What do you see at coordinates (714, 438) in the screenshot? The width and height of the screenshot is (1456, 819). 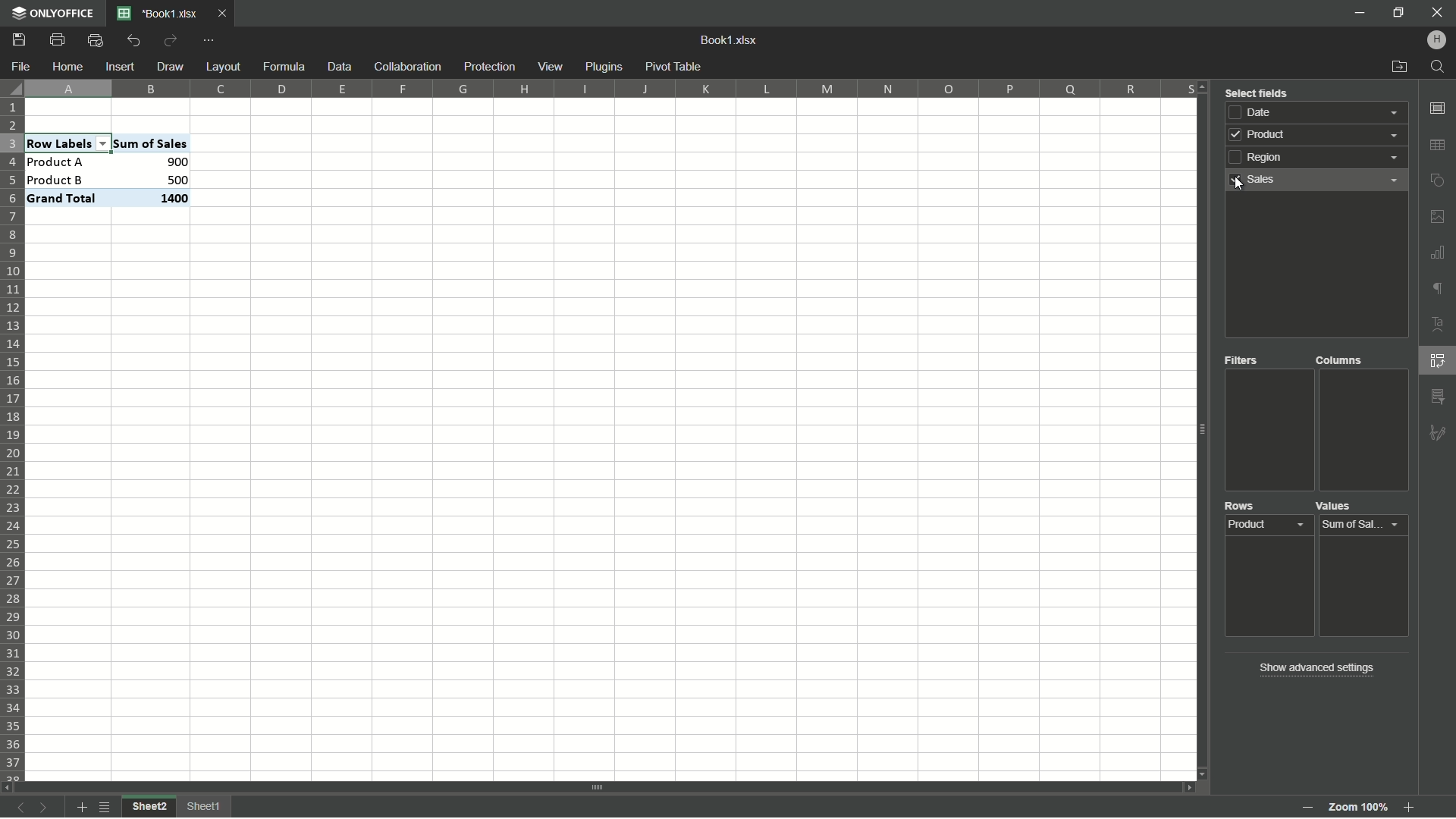 I see `cells` at bounding box center [714, 438].